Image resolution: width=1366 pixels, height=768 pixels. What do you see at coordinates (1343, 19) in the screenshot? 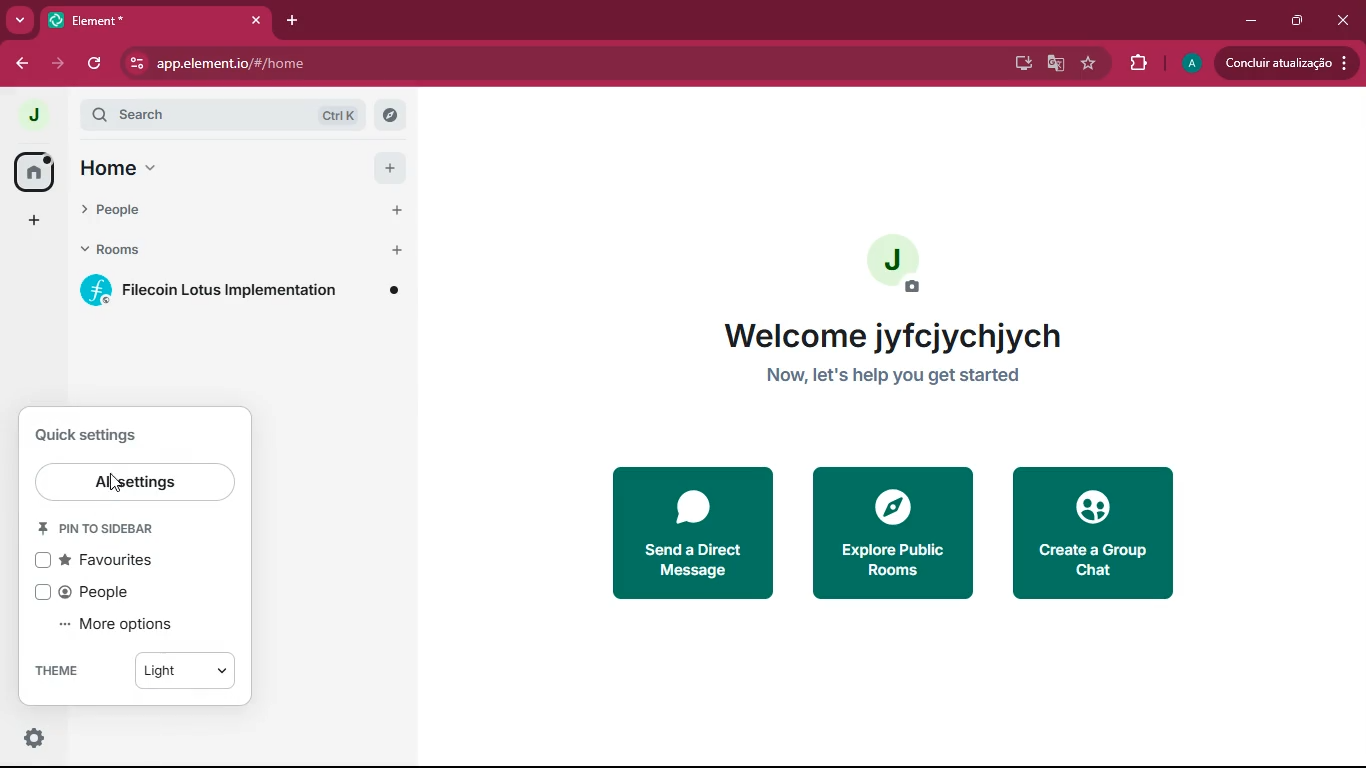
I see `close` at bounding box center [1343, 19].